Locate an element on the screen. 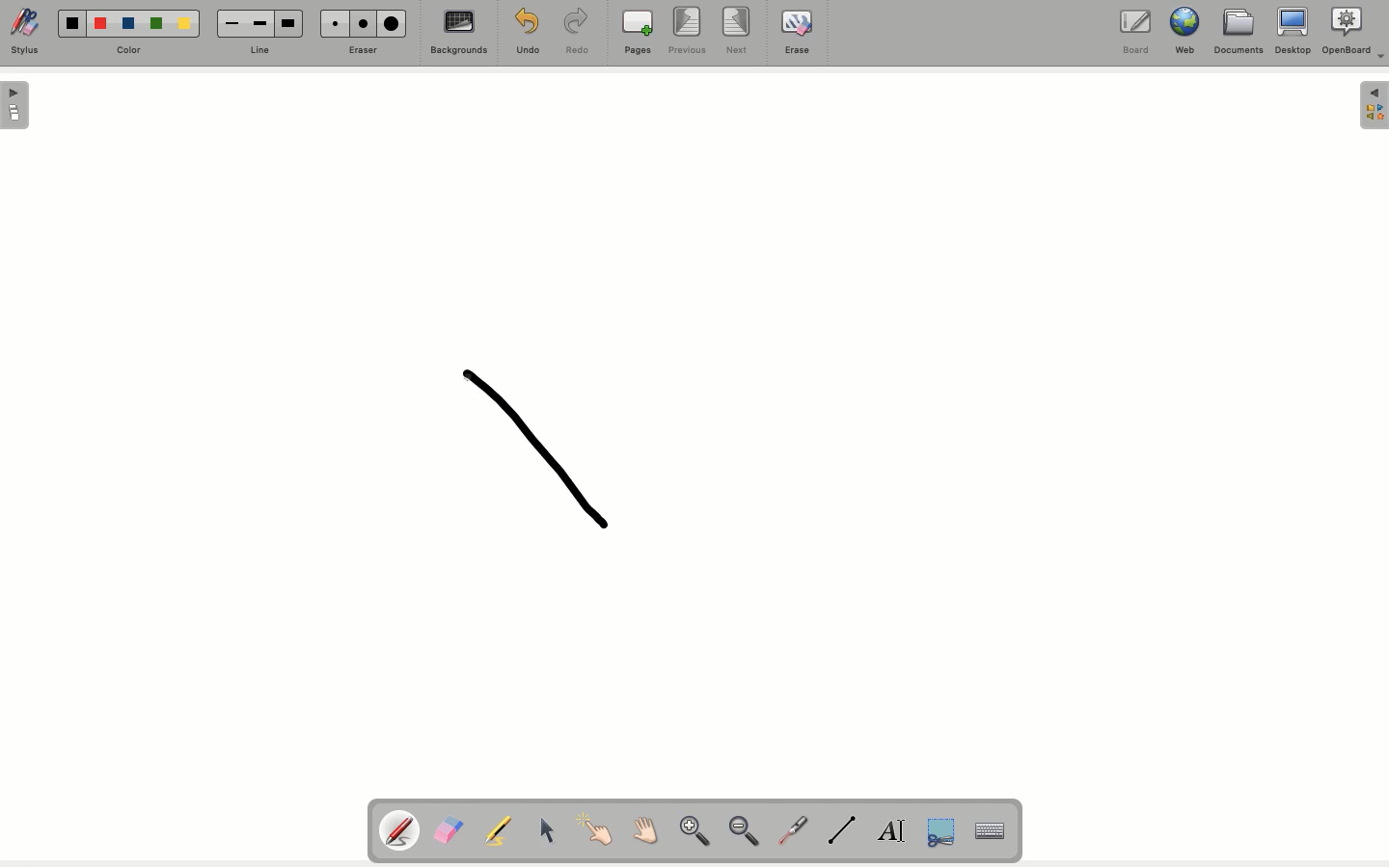  Zoom out is located at coordinates (749, 833).